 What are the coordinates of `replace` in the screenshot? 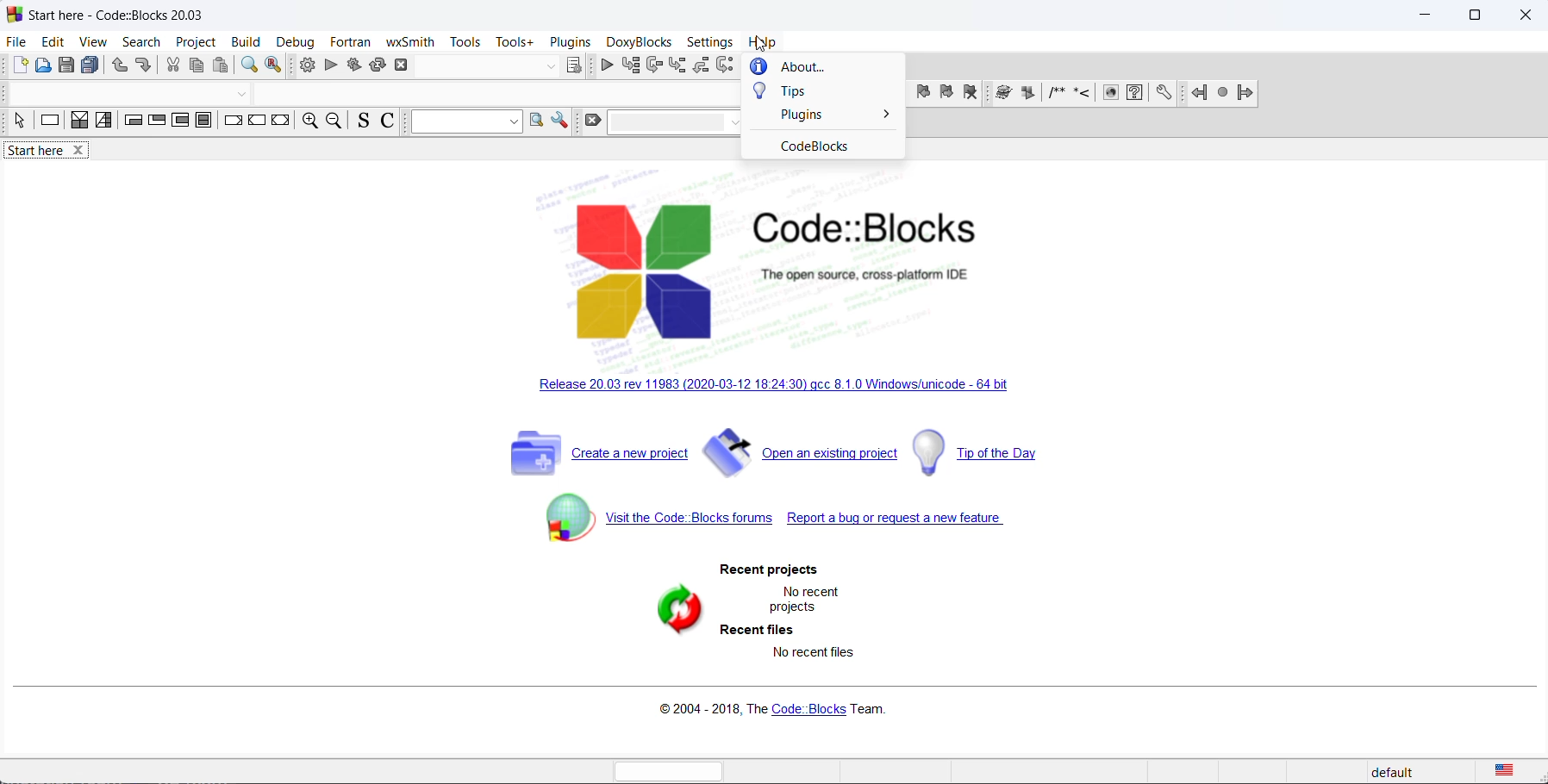 It's located at (275, 66).